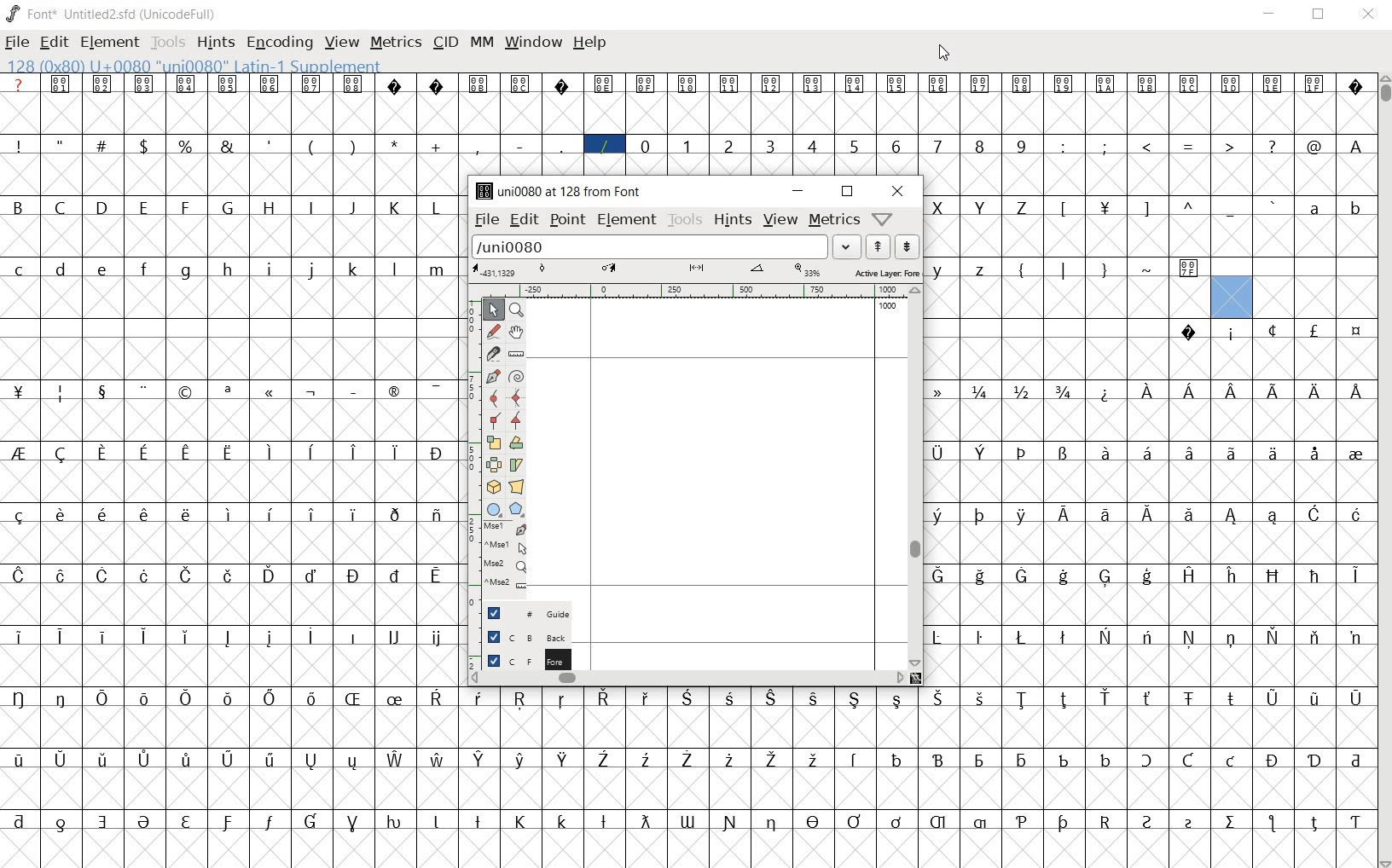  I want to click on glyph, so click(1355, 761).